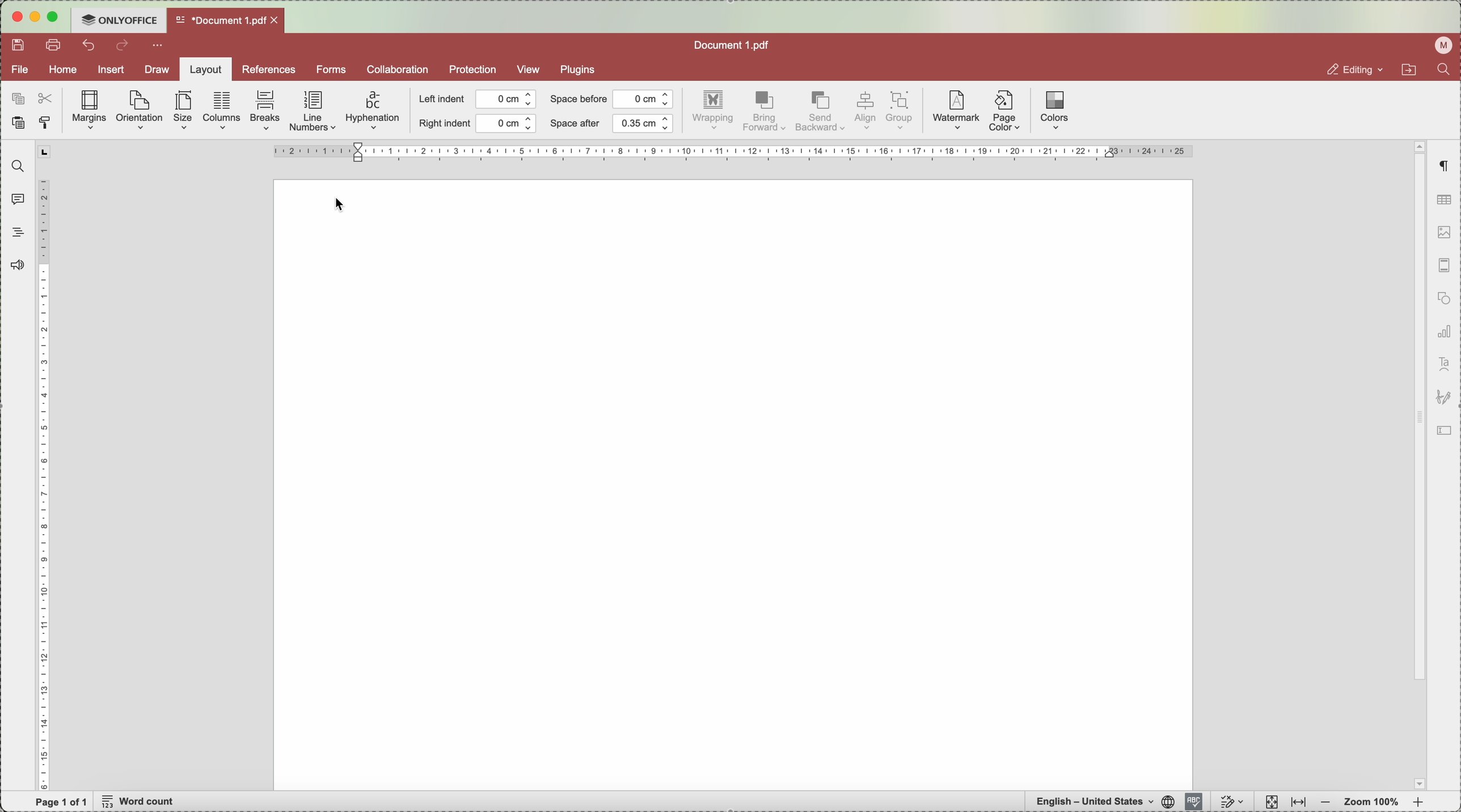 Image resolution: width=1461 pixels, height=812 pixels. I want to click on cursor, so click(345, 205).